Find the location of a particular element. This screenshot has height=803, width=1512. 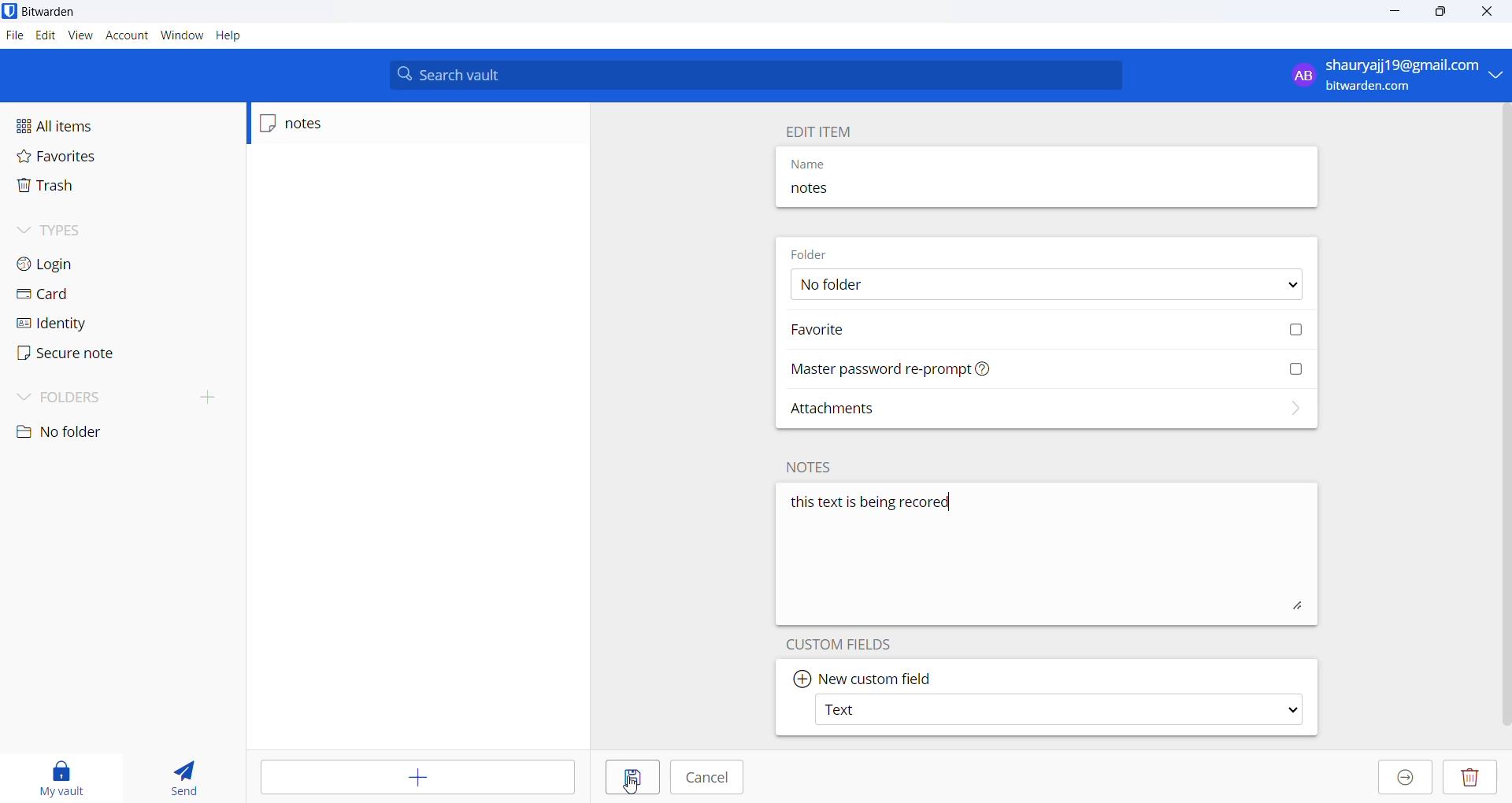

search vault is located at coordinates (758, 75).